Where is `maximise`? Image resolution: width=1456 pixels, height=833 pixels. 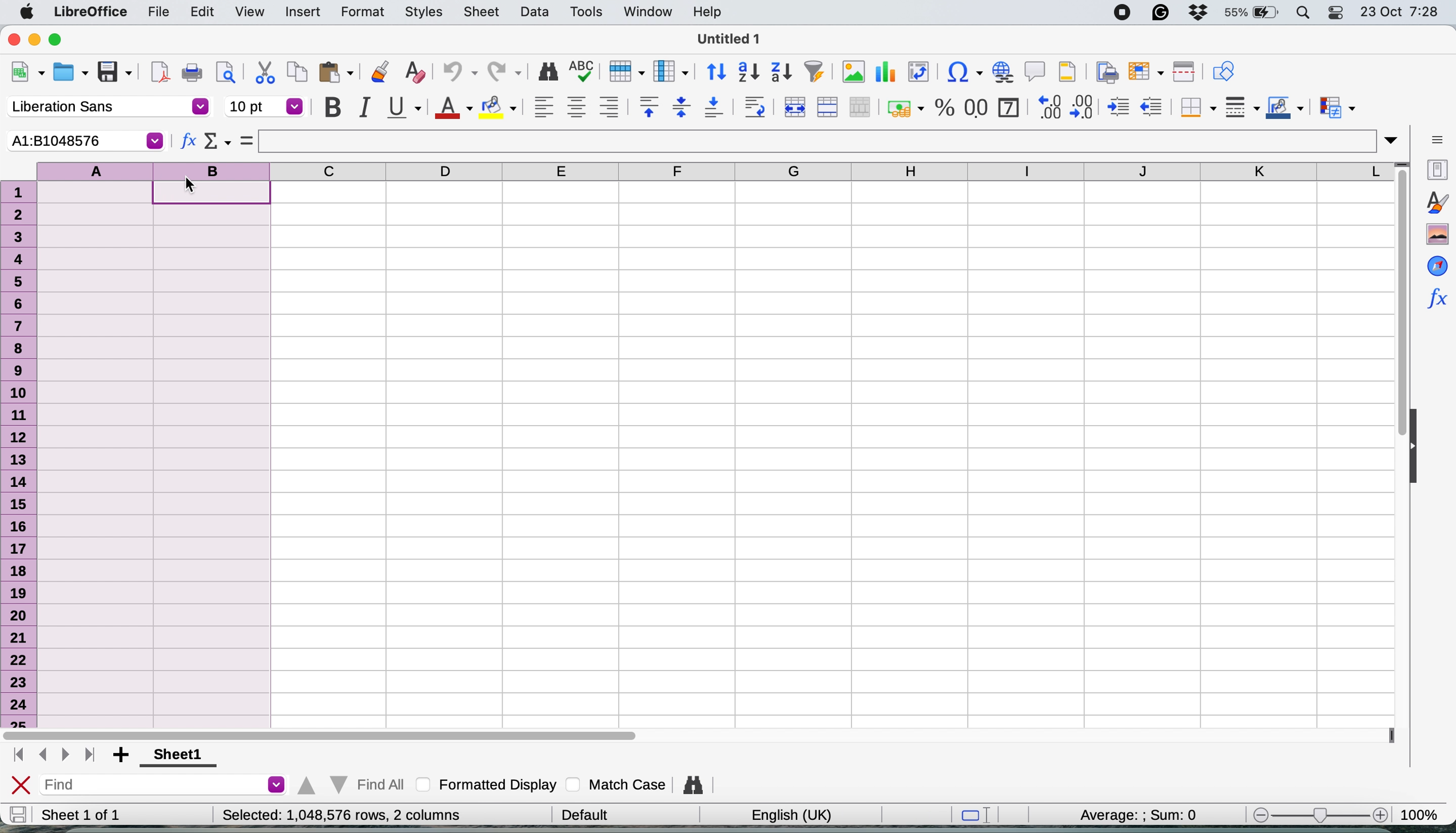
maximise is located at coordinates (61, 41).